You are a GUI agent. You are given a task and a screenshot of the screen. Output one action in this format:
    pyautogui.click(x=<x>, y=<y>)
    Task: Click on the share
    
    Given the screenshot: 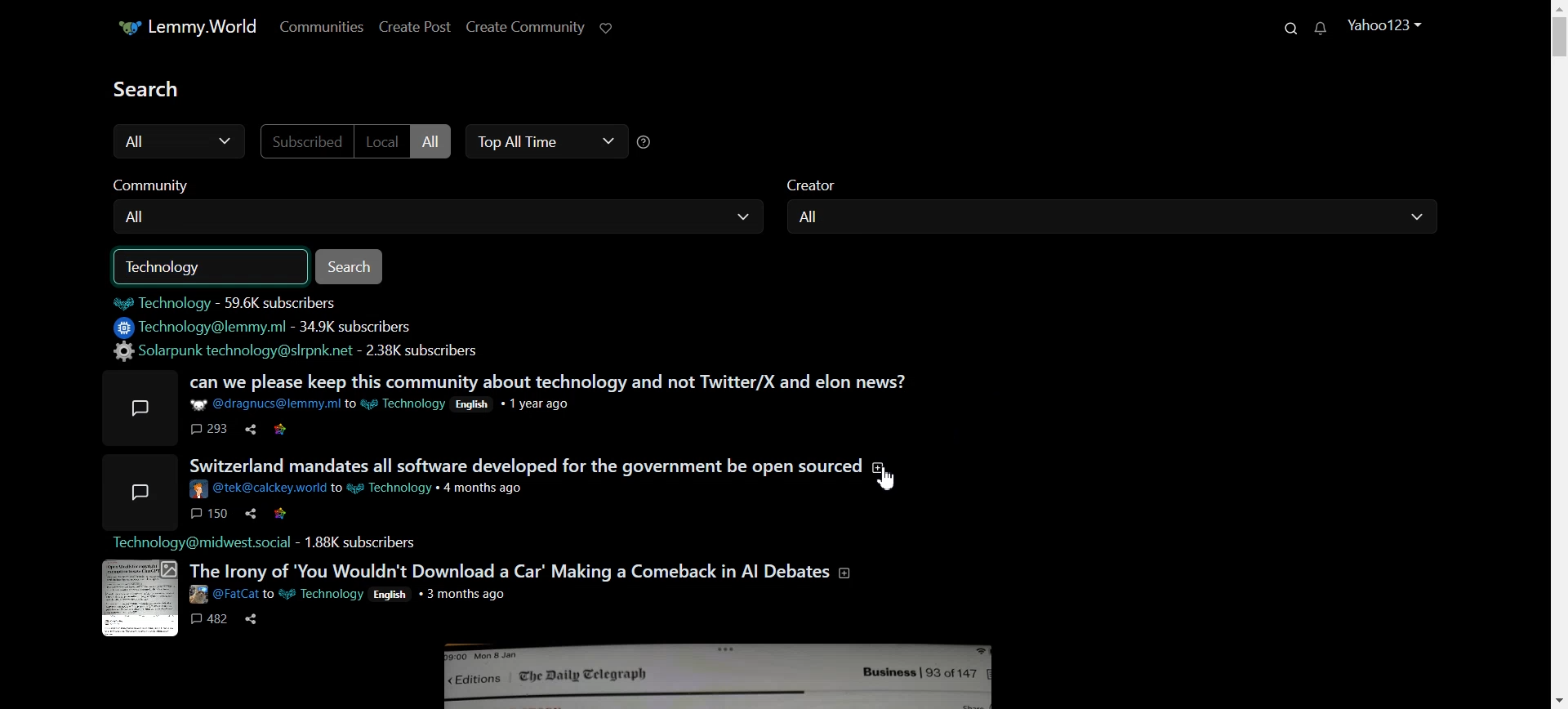 What is the action you would take?
    pyautogui.click(x=252, y=619)
    